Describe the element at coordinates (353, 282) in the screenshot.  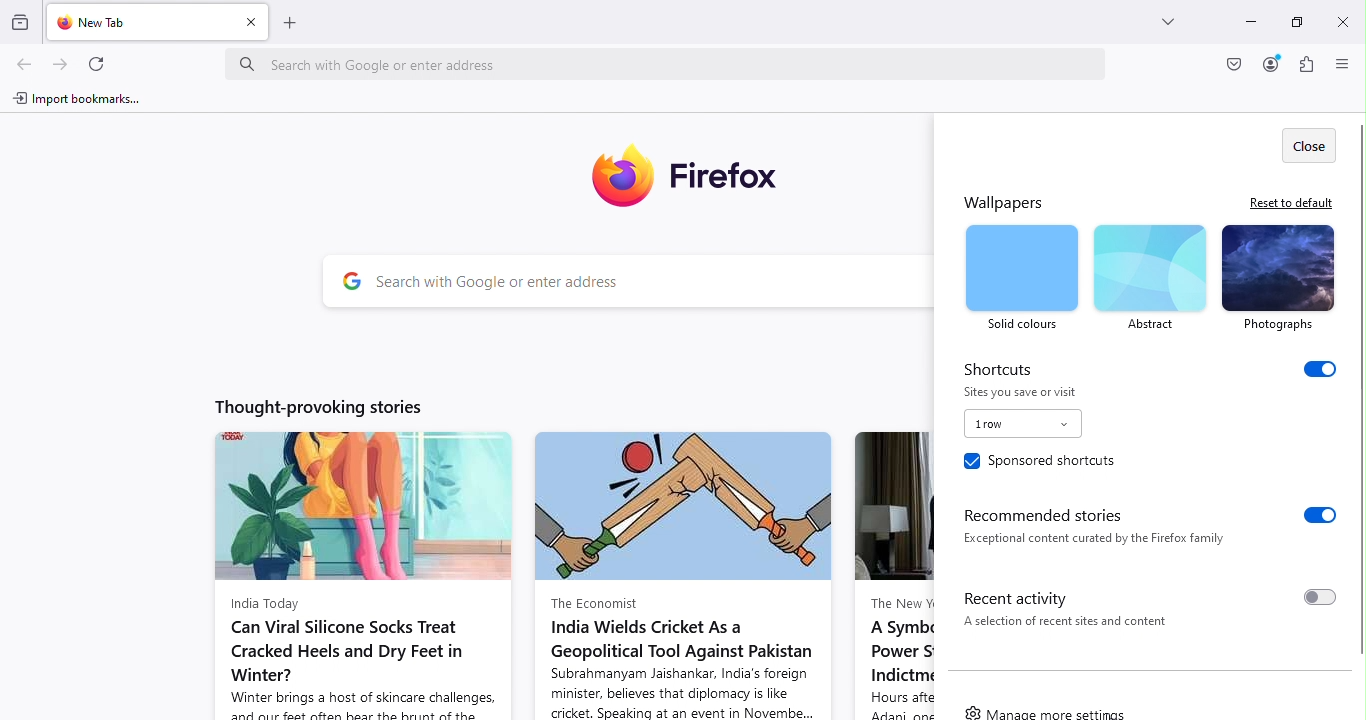
I see `google logo` at that location.